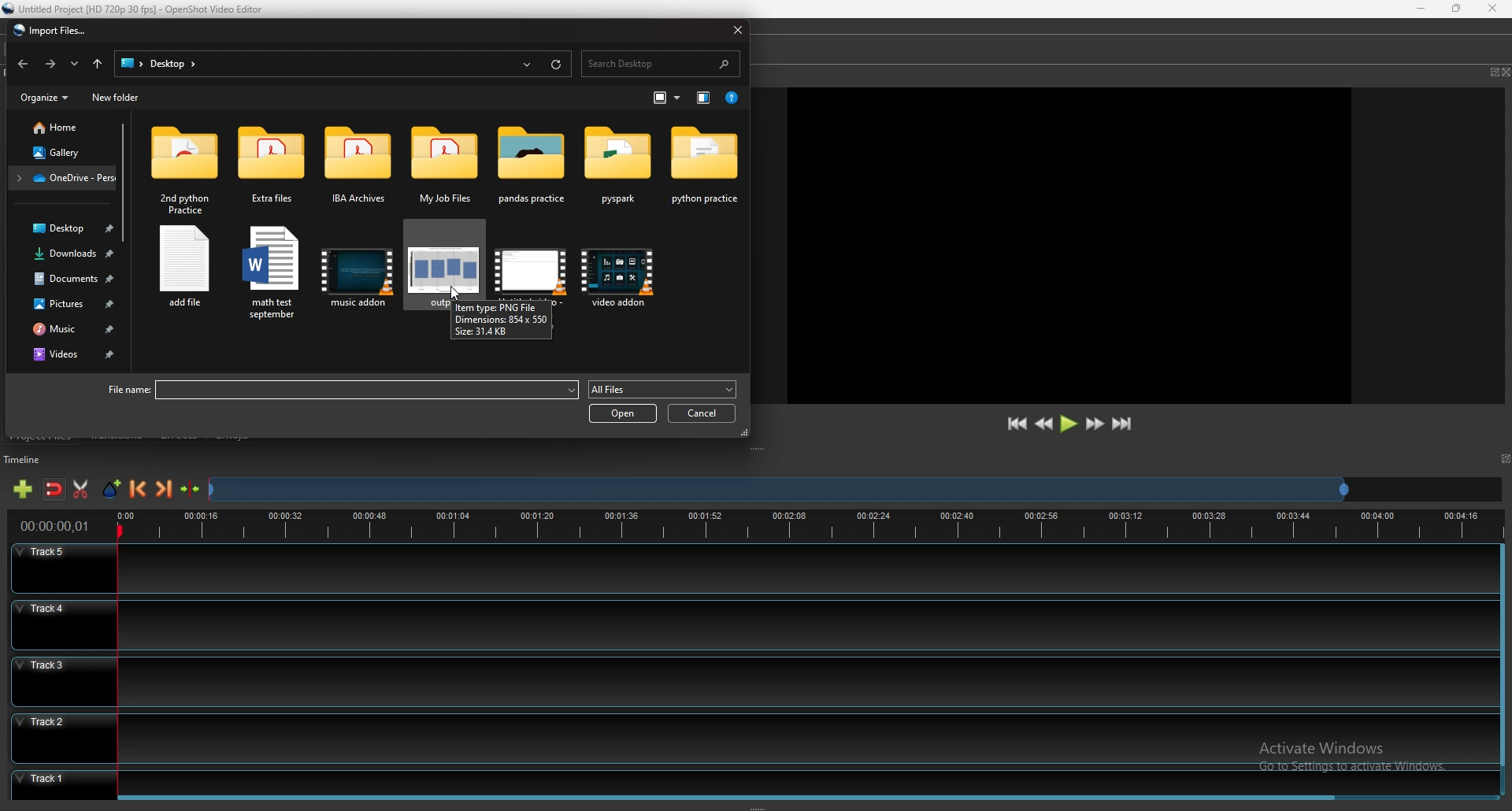  What do you see at coordinates (185, 268) in the screenshot?
I see `file` at bounding box center [185, 268].